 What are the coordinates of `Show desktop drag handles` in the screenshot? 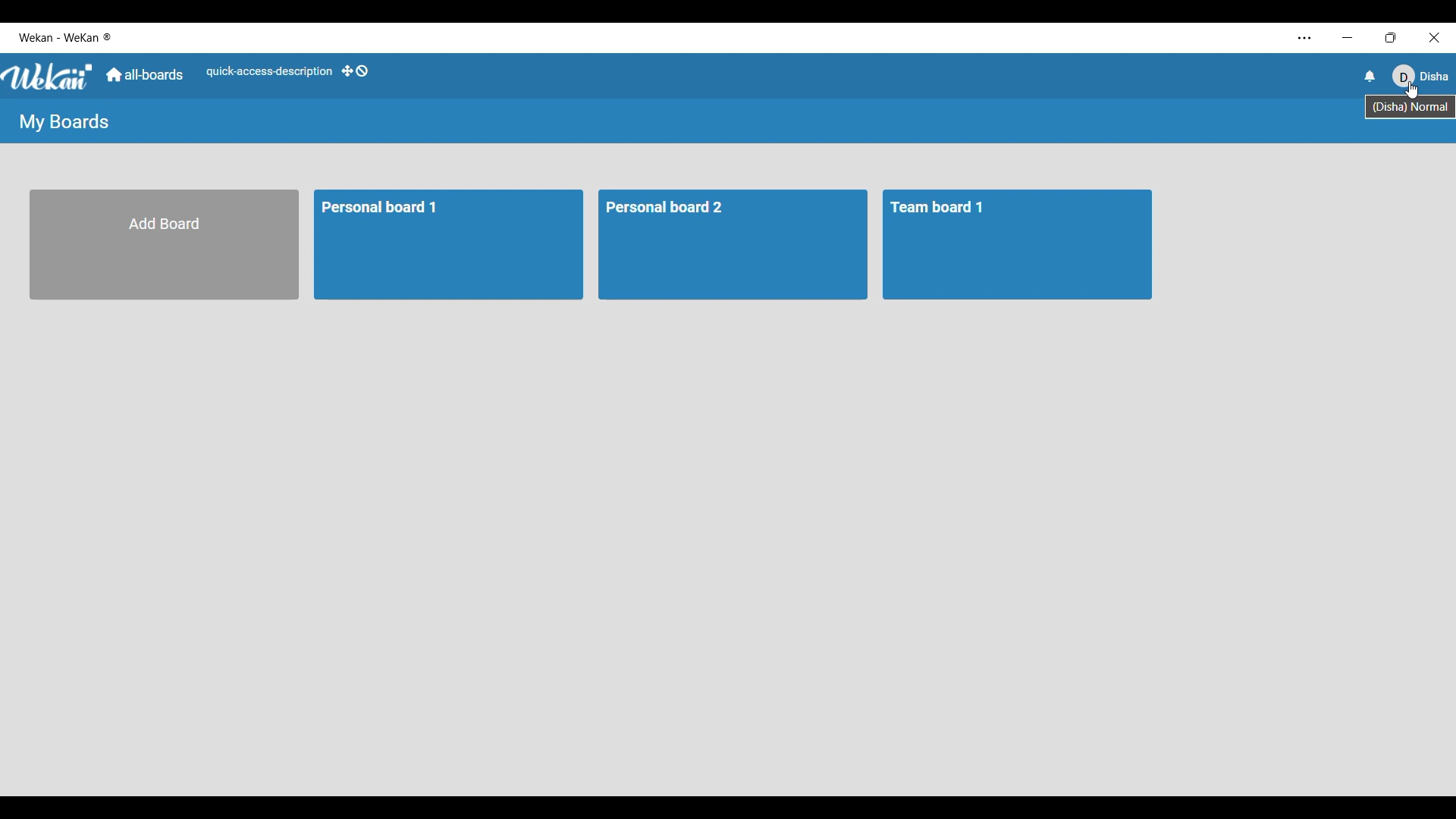 It's located at (354, 71).